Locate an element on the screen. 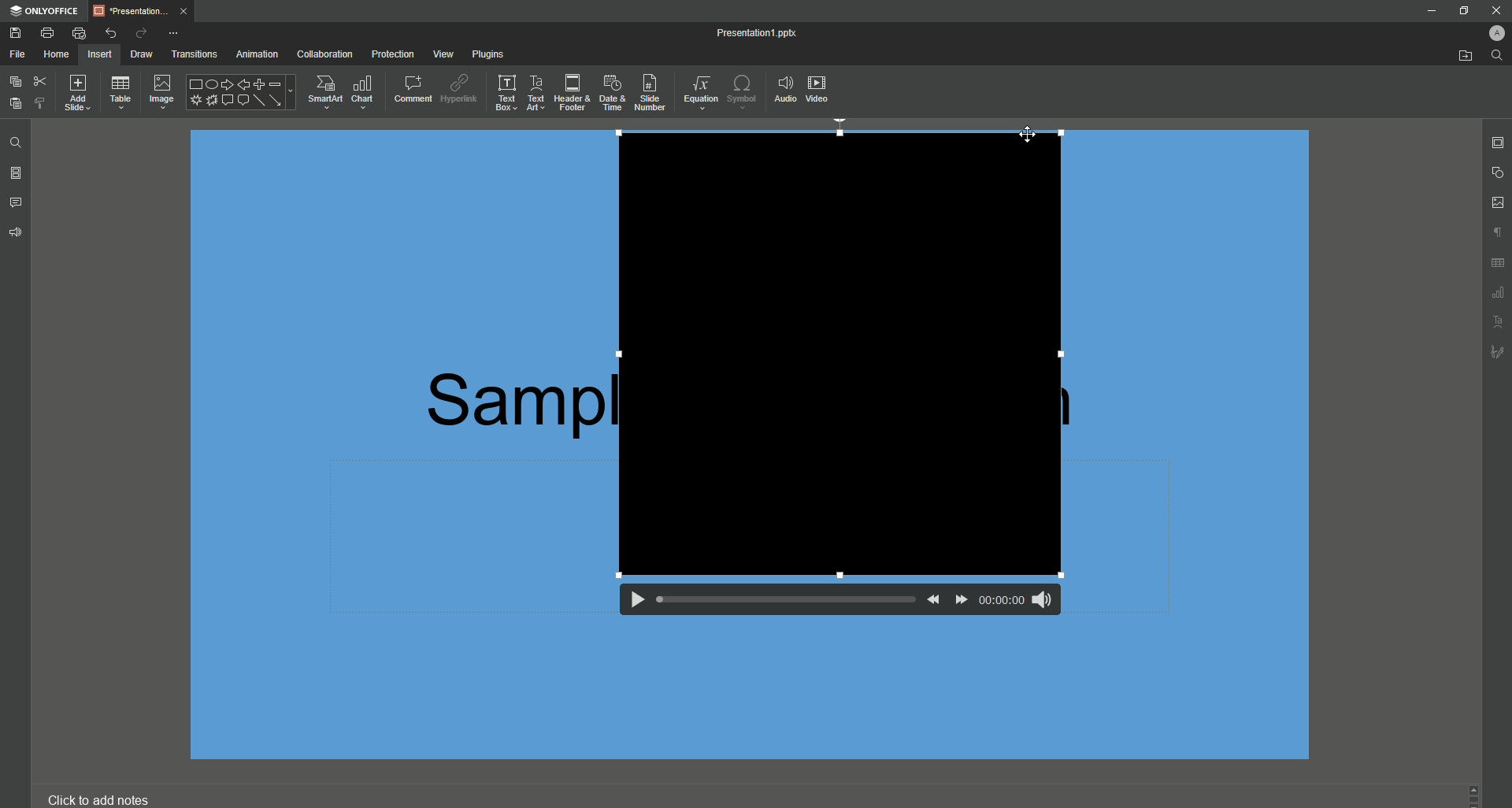 This screenshot has height=808, width=1512. File is located at coordinates (17, 54).